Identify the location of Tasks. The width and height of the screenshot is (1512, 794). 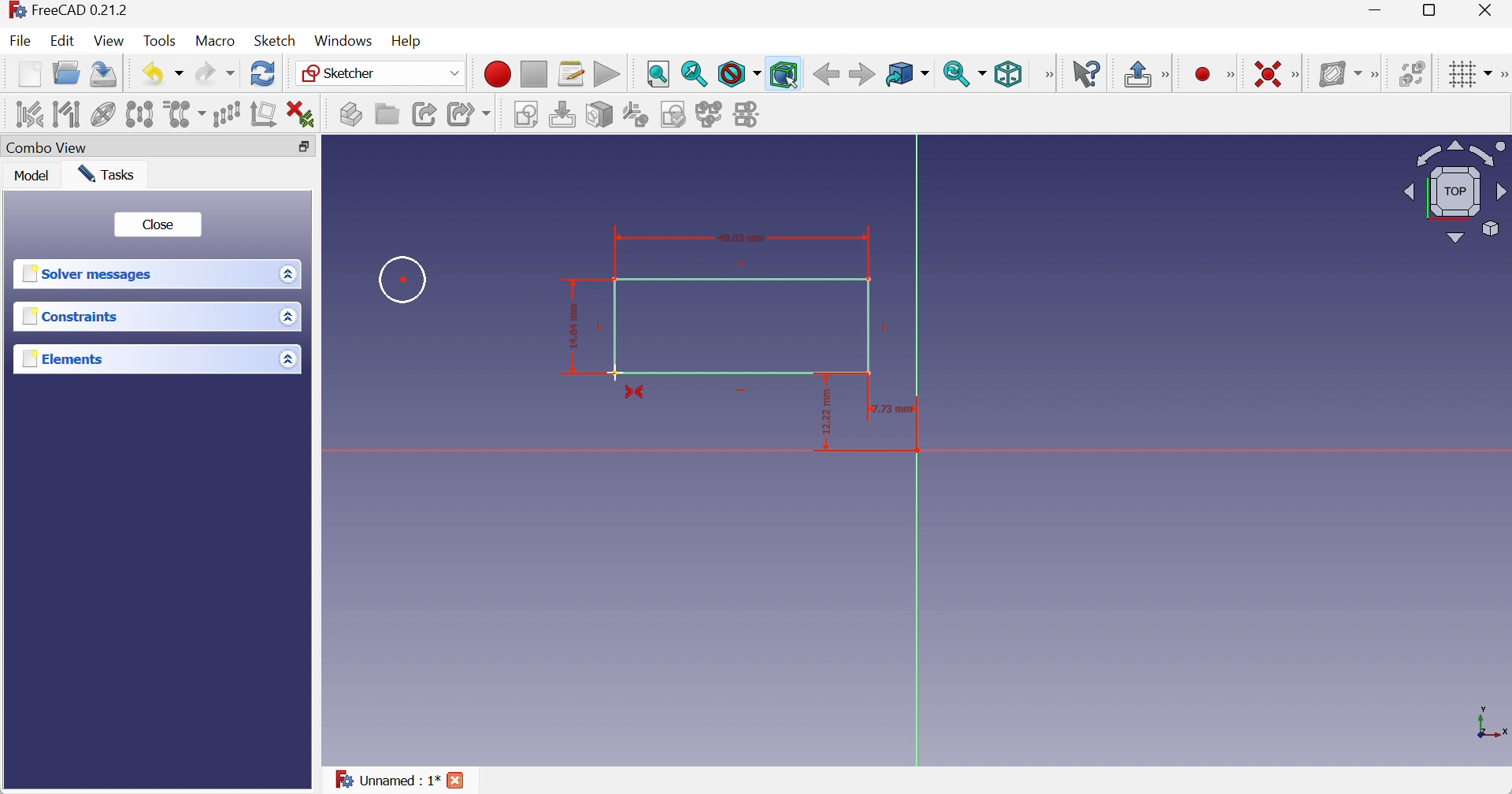
(106, 174).